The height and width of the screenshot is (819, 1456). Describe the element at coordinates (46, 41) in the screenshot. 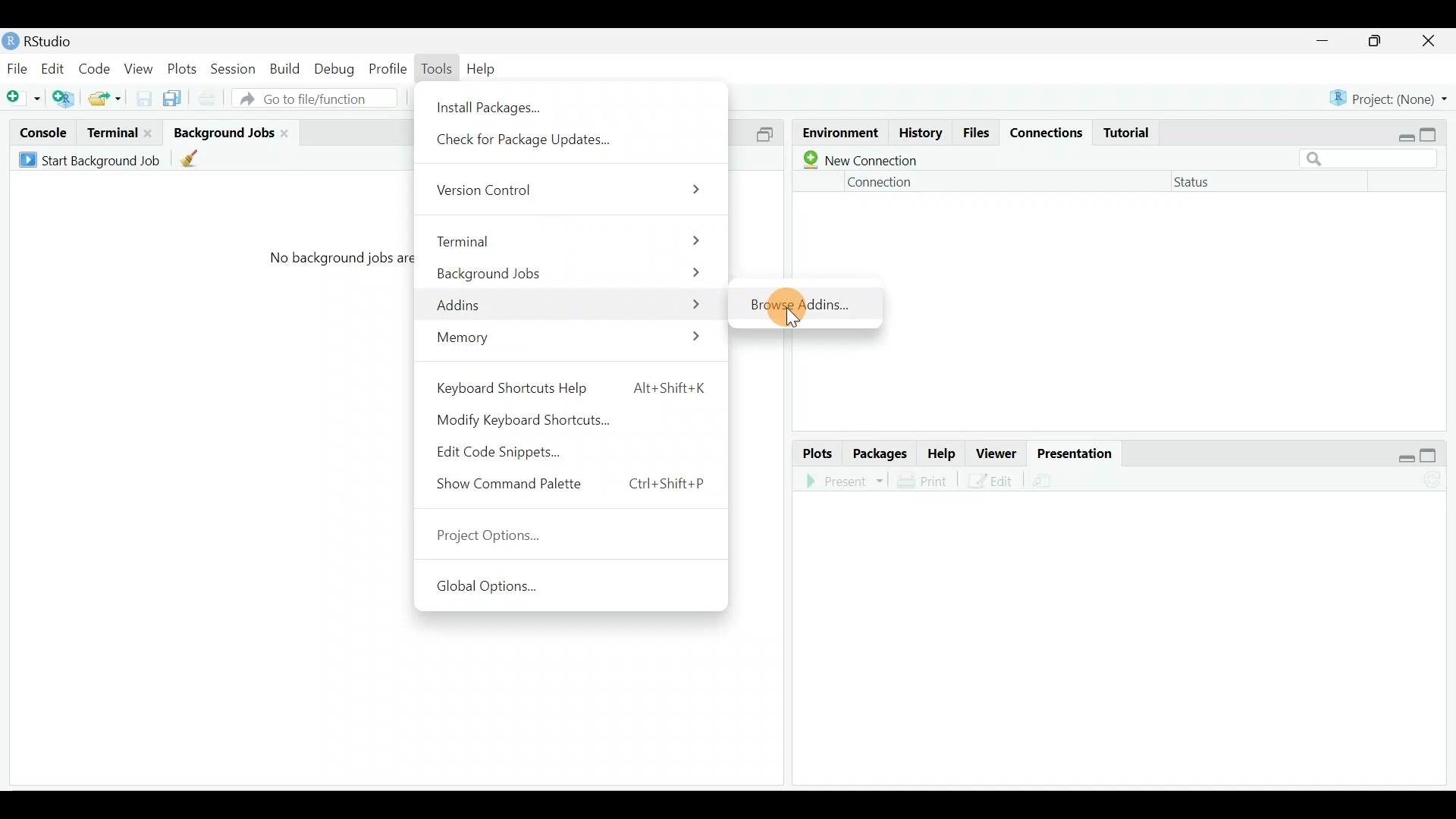

I see `RStudio` at that location.